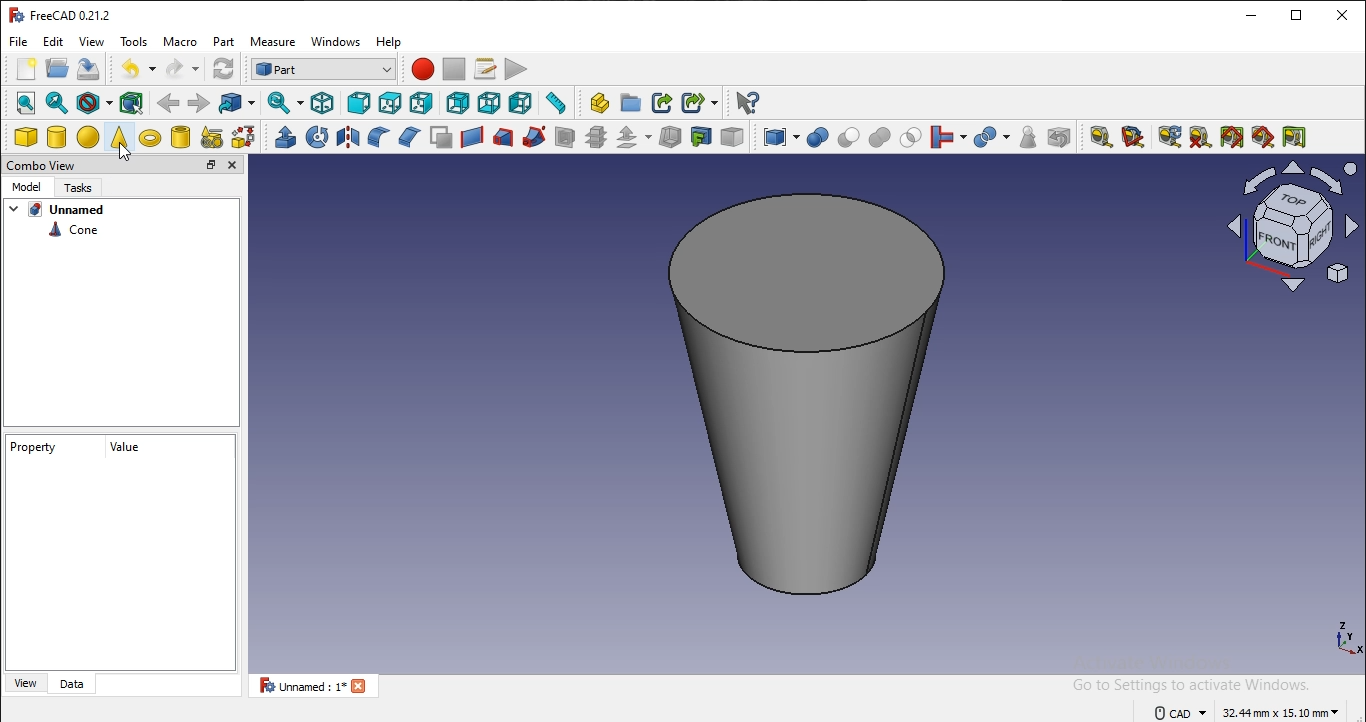 Image resolution: width=1366 pixels, height=722 pixels. Describe the element at coordinates (346, 137) in the screenshot. I see `mirroring` at that location.